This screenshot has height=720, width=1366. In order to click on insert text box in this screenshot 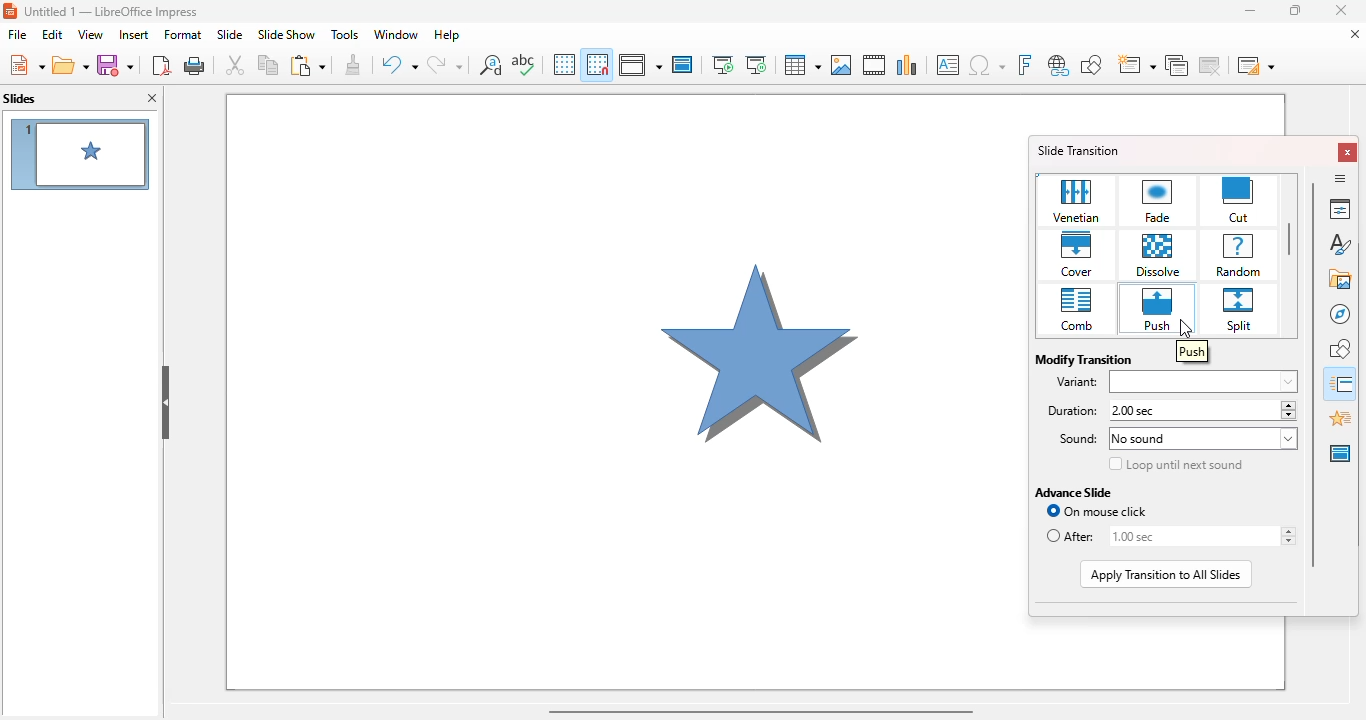, I will do `click(949, 65)`.